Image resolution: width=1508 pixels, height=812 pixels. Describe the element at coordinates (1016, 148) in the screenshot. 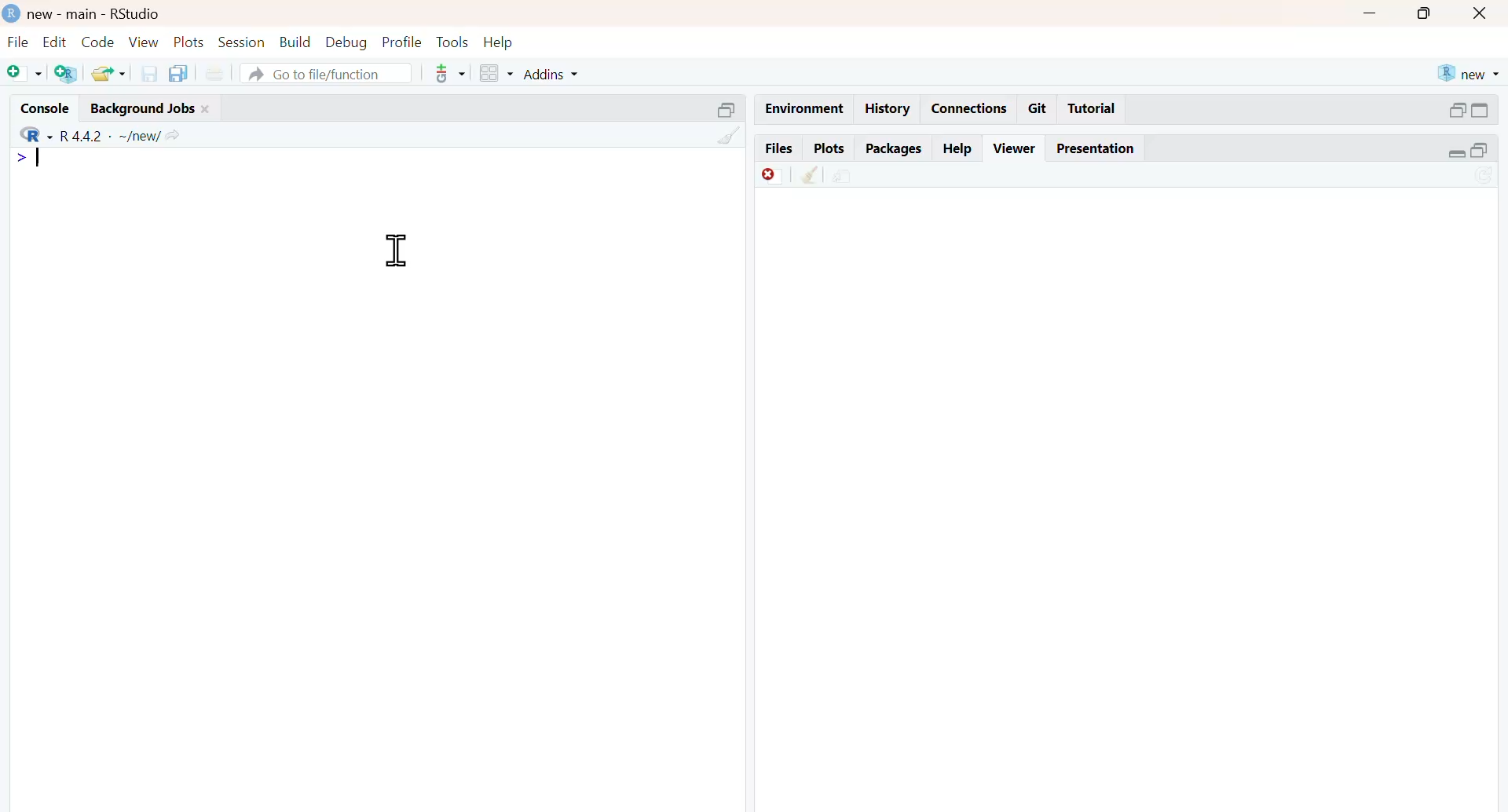

I see `viewer` at that location.